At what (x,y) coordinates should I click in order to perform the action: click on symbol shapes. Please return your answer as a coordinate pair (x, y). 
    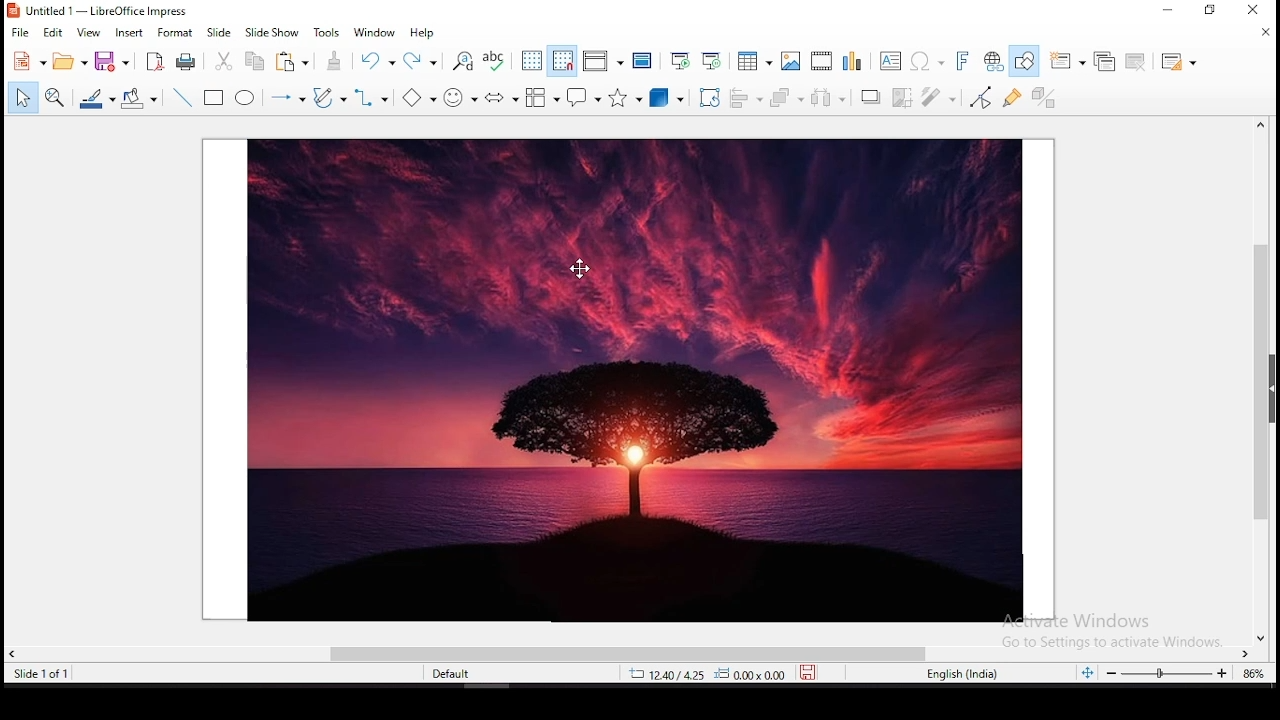
    Looking at the image, I should click on (463, 96).